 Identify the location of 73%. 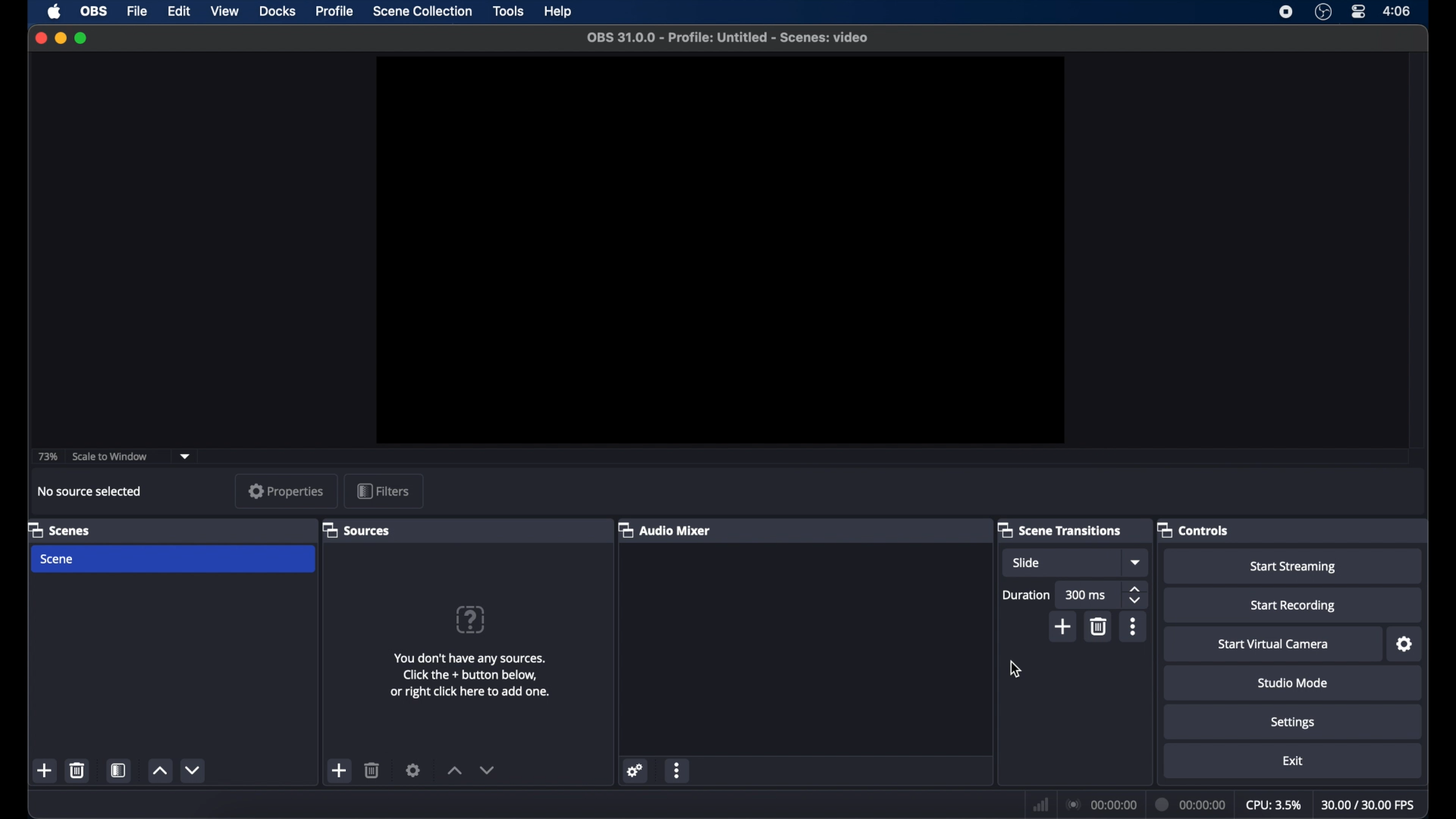
(47, 457).